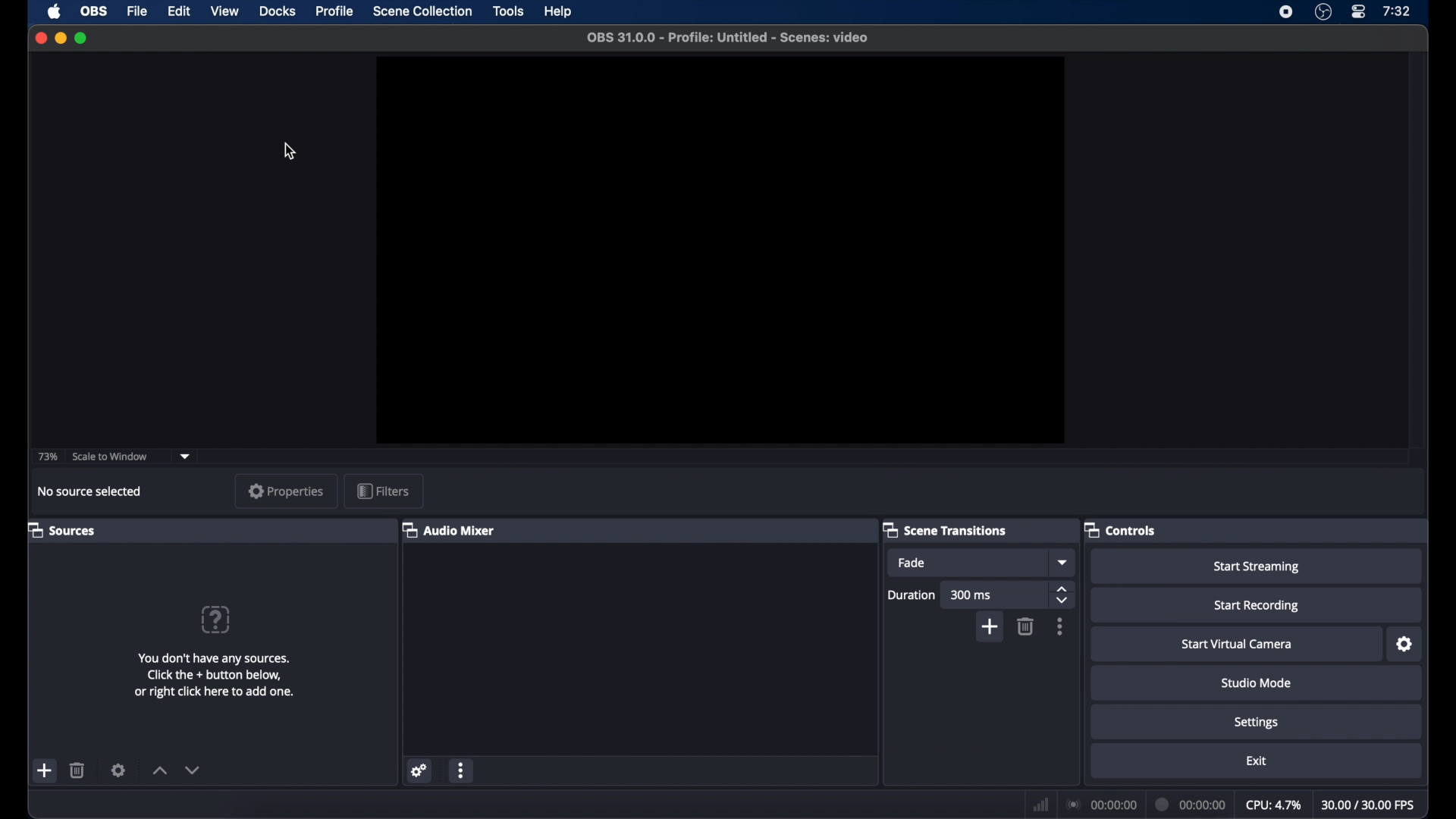 The height and width of the screenshot is (819, 1456). Describe the element at coordinates (224, 11) in the screenshot. I see `view` at that location.